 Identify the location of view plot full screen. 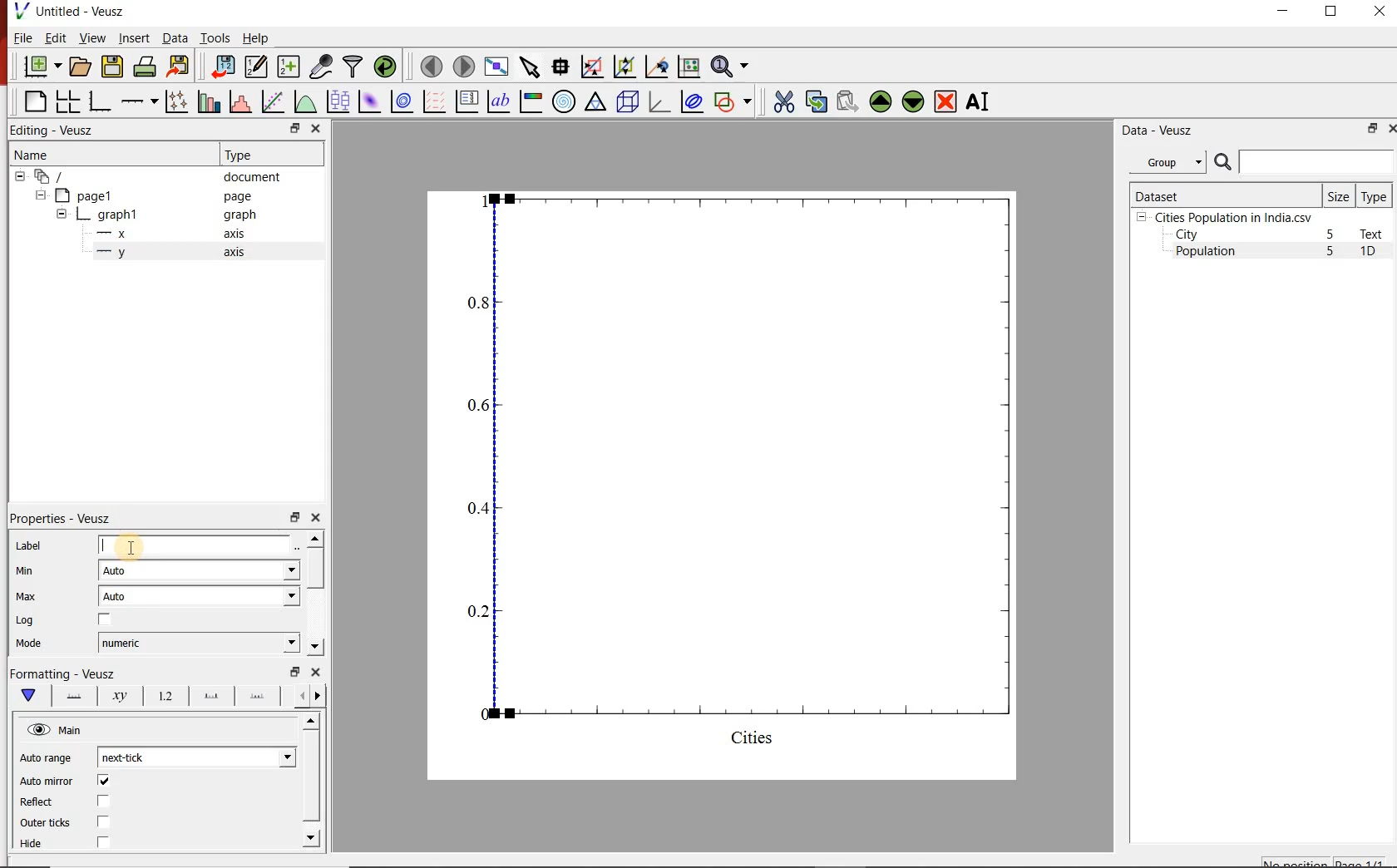
(496, 67).